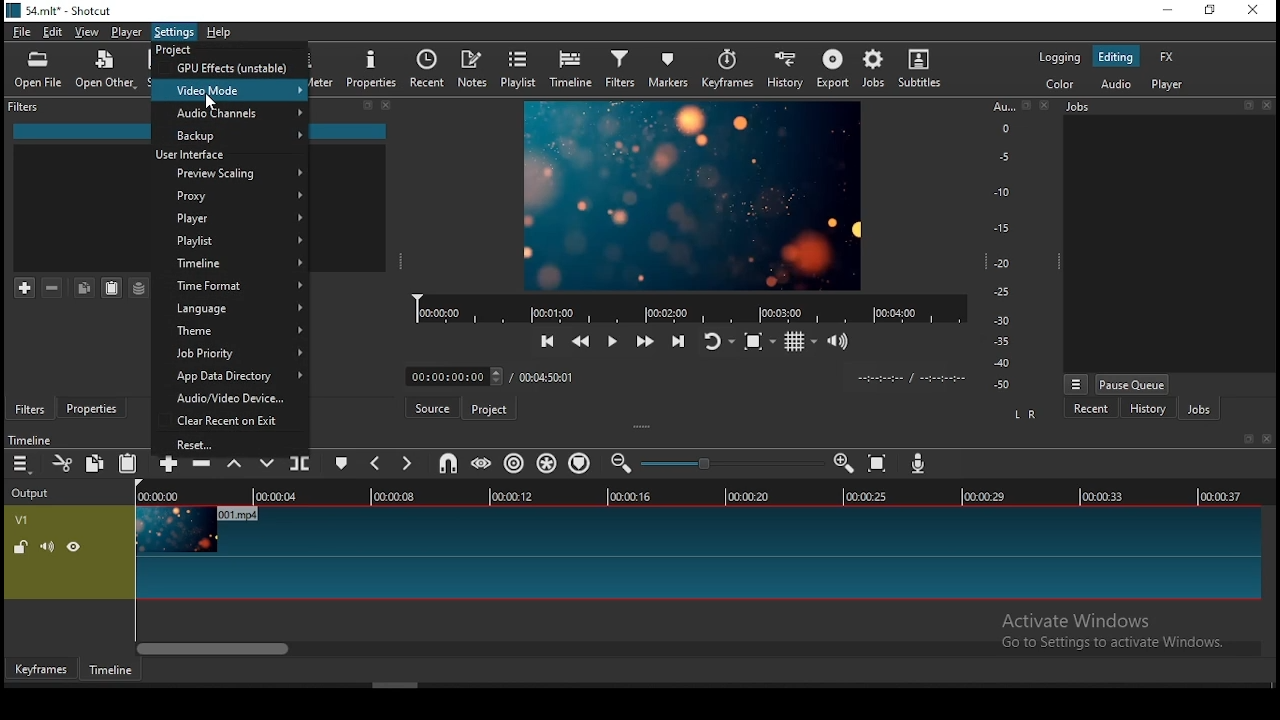 This screenshot has height=720, width=1280. Describe the element at coordinates (472, 69) in the screenshot. I see `notes` at that location.